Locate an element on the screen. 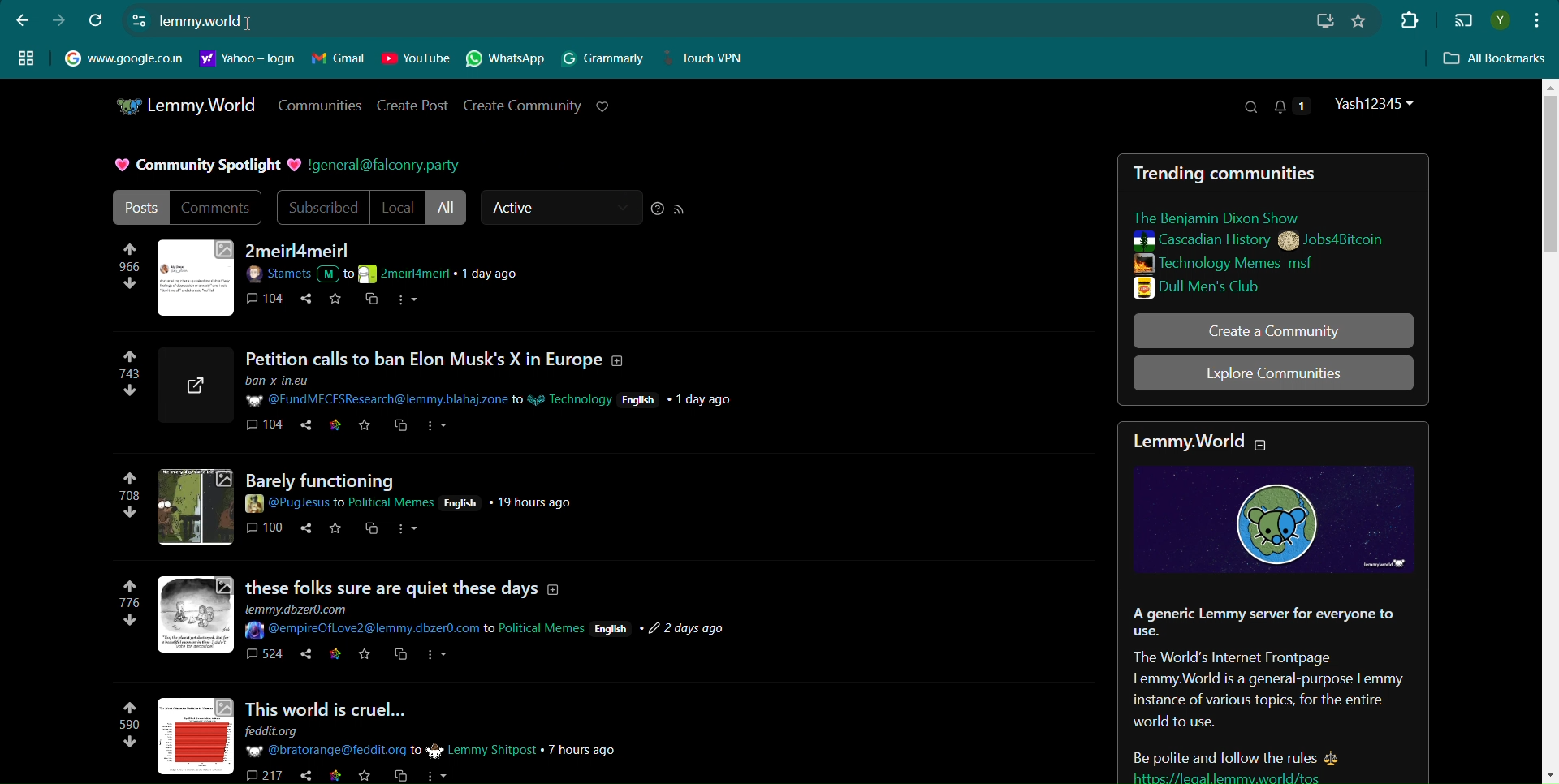  Be polite and follow the rules  is located at coordinates (1217, 752).